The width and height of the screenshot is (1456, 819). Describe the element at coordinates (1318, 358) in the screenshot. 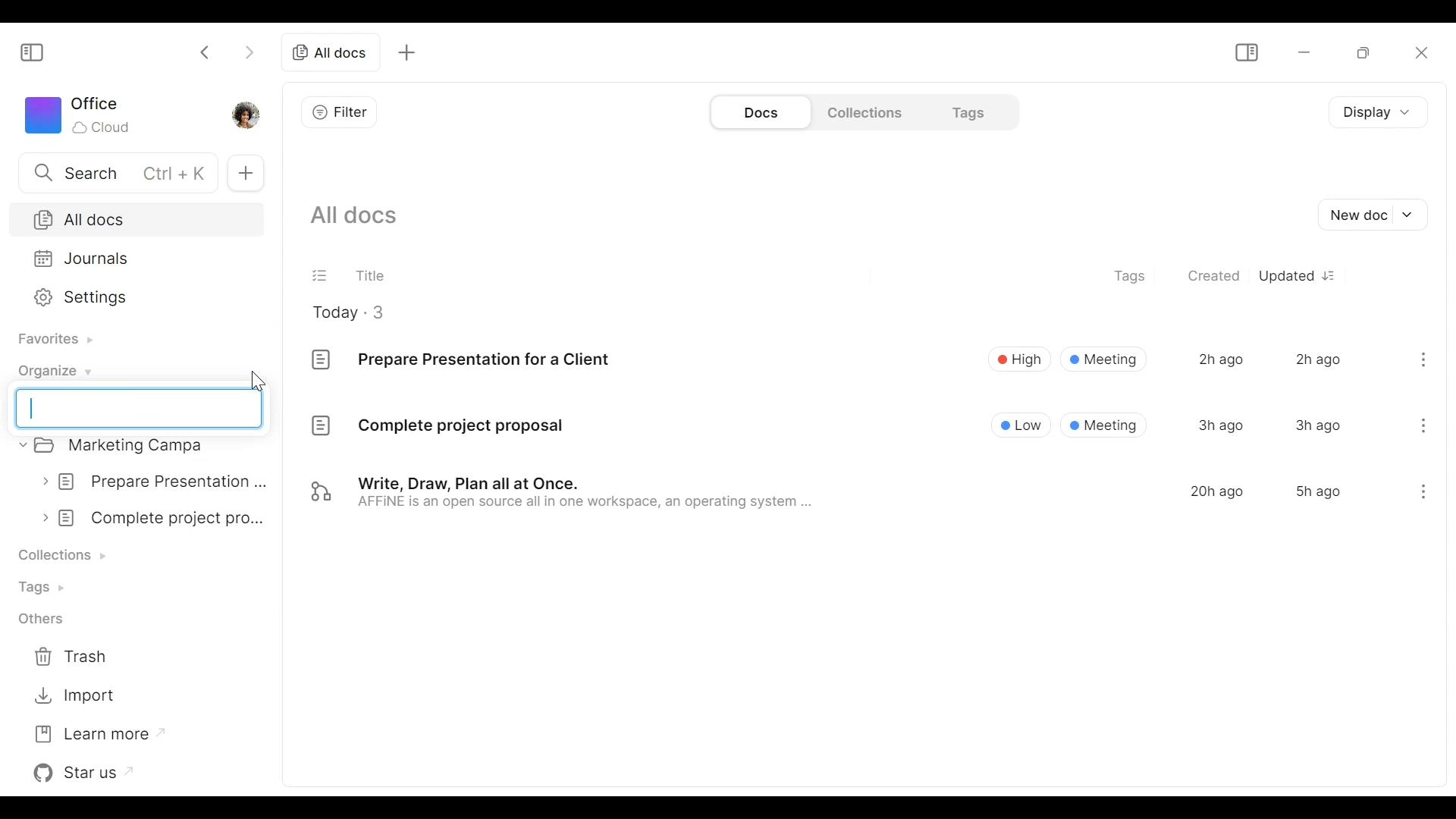

I see `2h ago` at that location.